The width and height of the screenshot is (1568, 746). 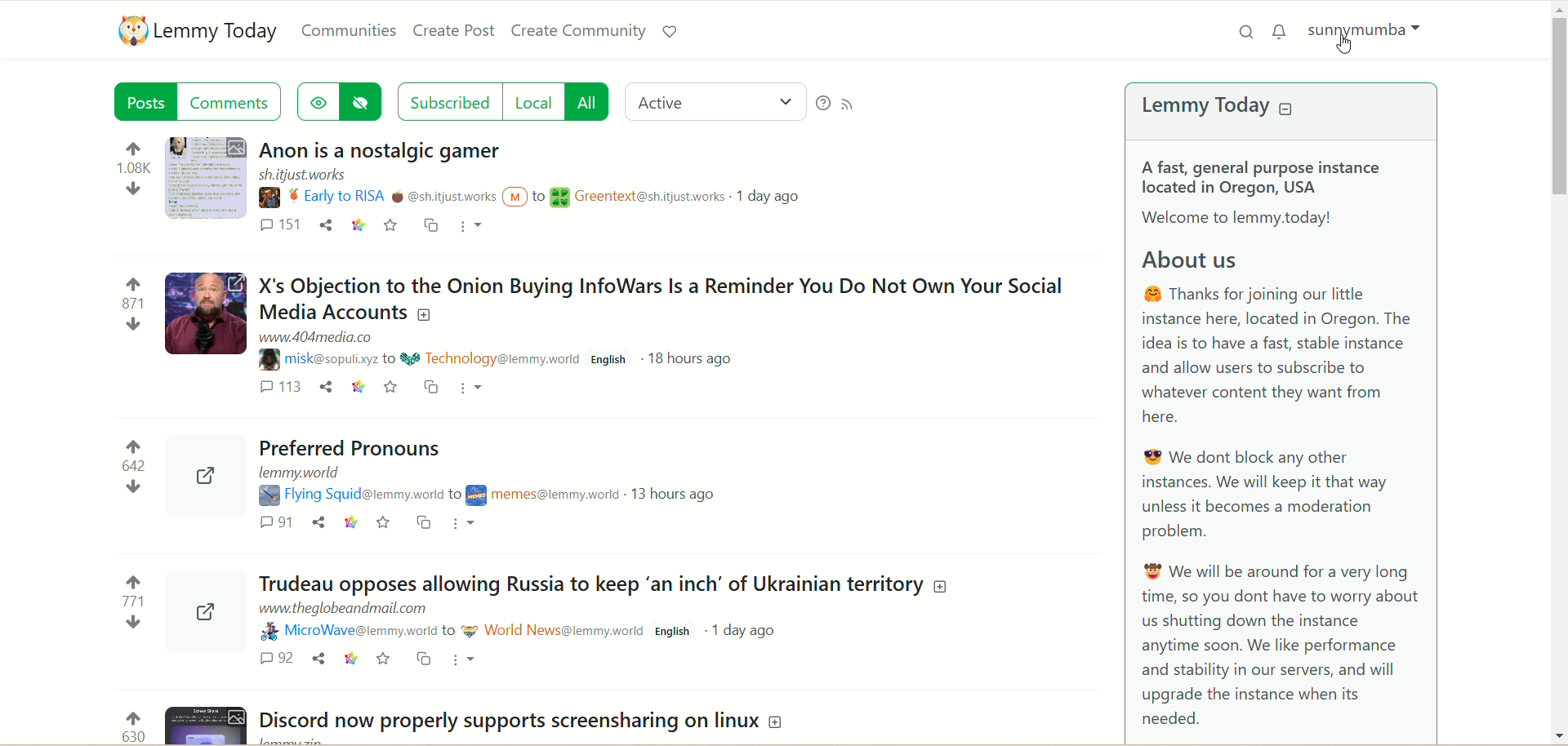 I want to click on lemmy today logo and name, so click(x=192, y=30).